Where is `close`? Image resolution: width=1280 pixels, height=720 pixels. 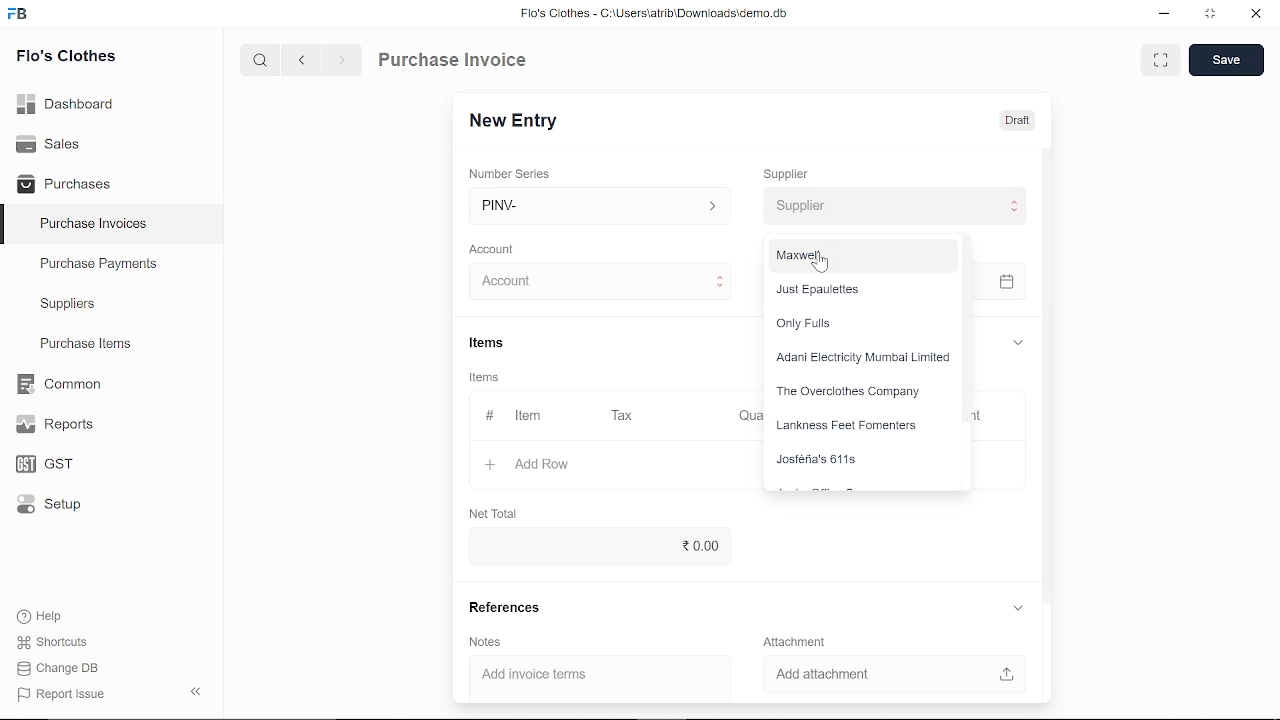
close is located at coordinates (1254, 16).